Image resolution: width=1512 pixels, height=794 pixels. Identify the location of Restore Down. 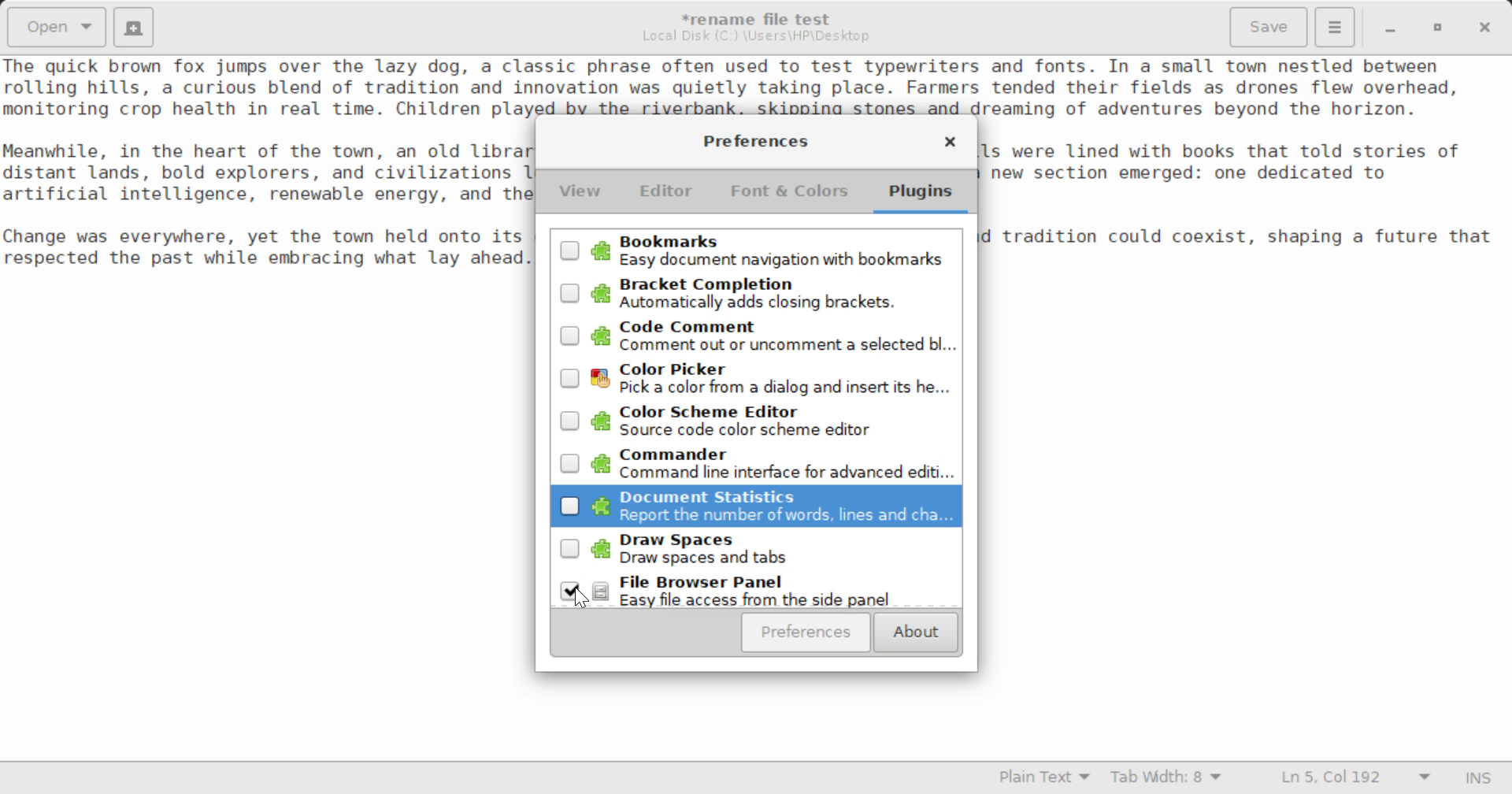
(1388, 28).